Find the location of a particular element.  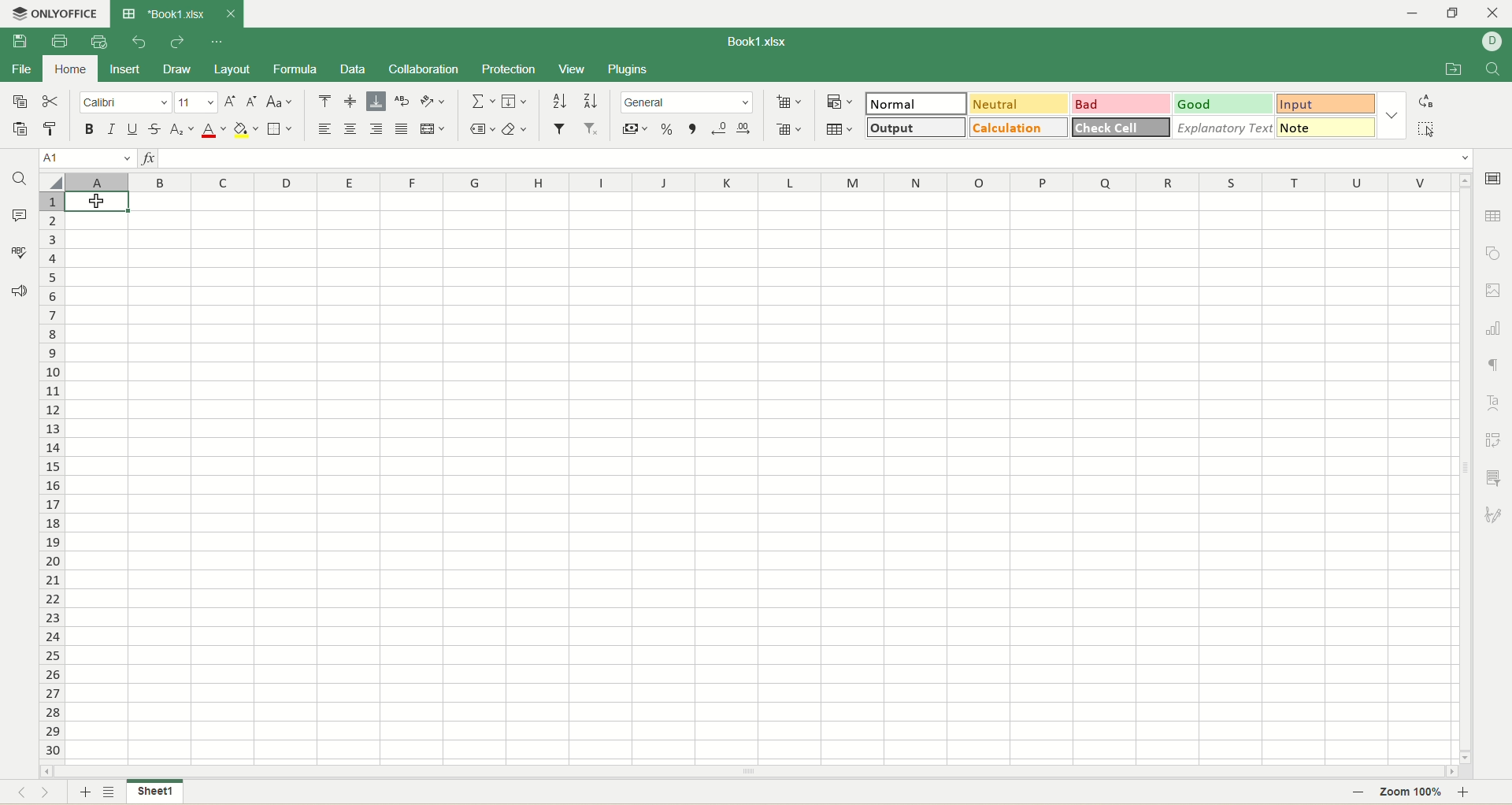

decrease size is located at coordinates (254, 102).